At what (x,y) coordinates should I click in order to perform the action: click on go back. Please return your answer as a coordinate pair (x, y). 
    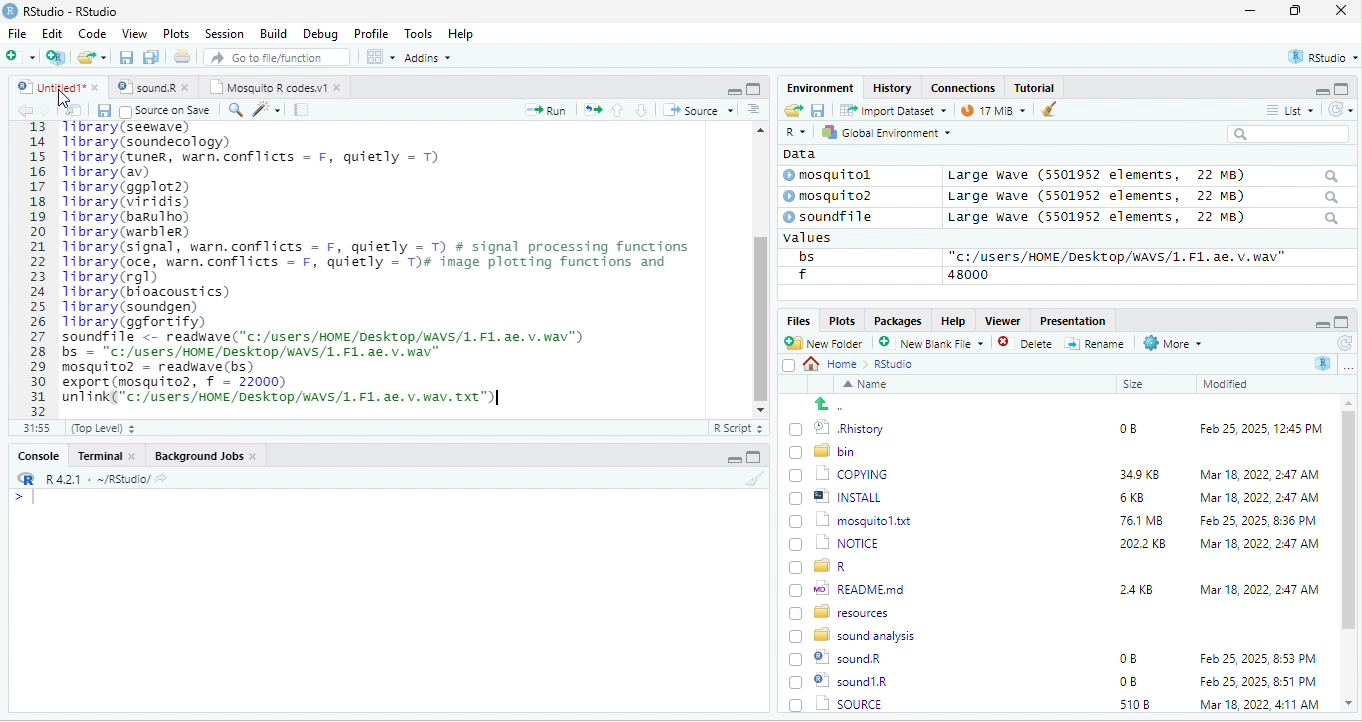
    Looking at the image, I should click on (837, 404).